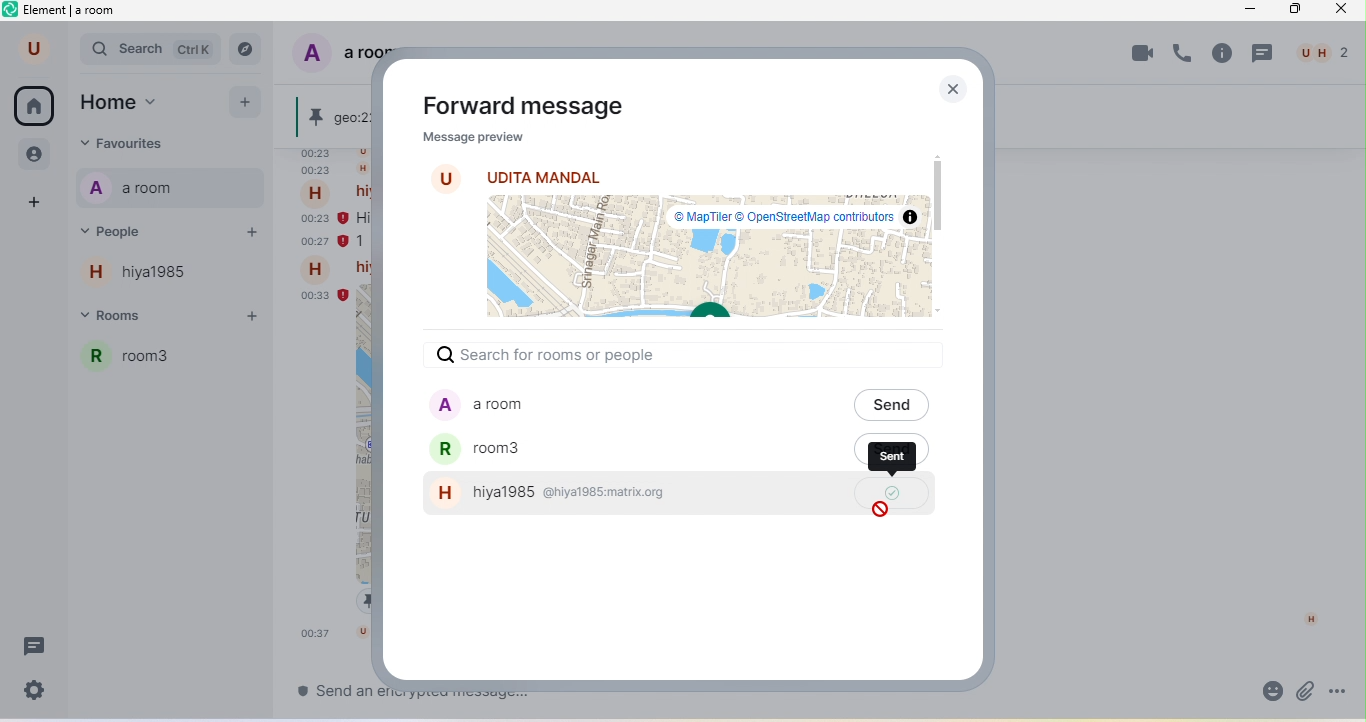 This screenshot has height=722, width=1366. What do you see at coordinates (246, 104) in the screenshot?
I see `add ` at bounding box center [246, 104].